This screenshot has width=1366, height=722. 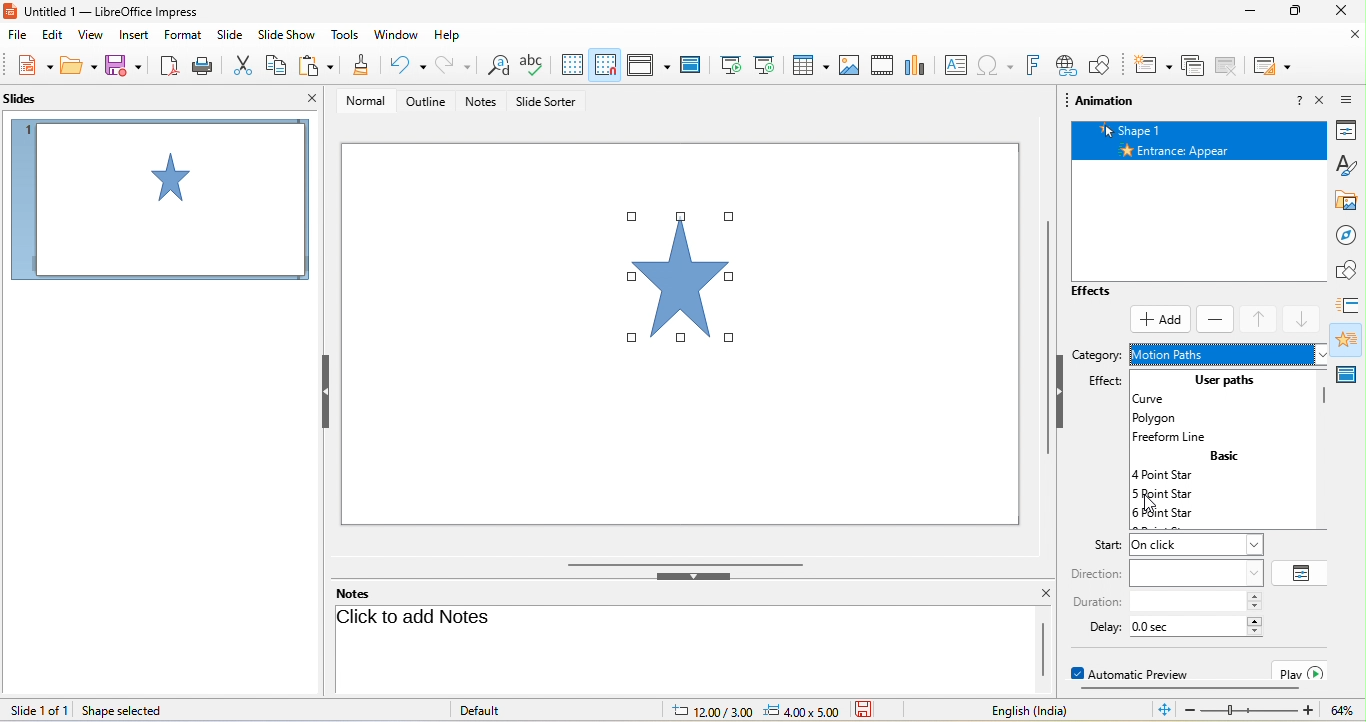 I want to click on duplicate slide, so click(x=1226, y=67).